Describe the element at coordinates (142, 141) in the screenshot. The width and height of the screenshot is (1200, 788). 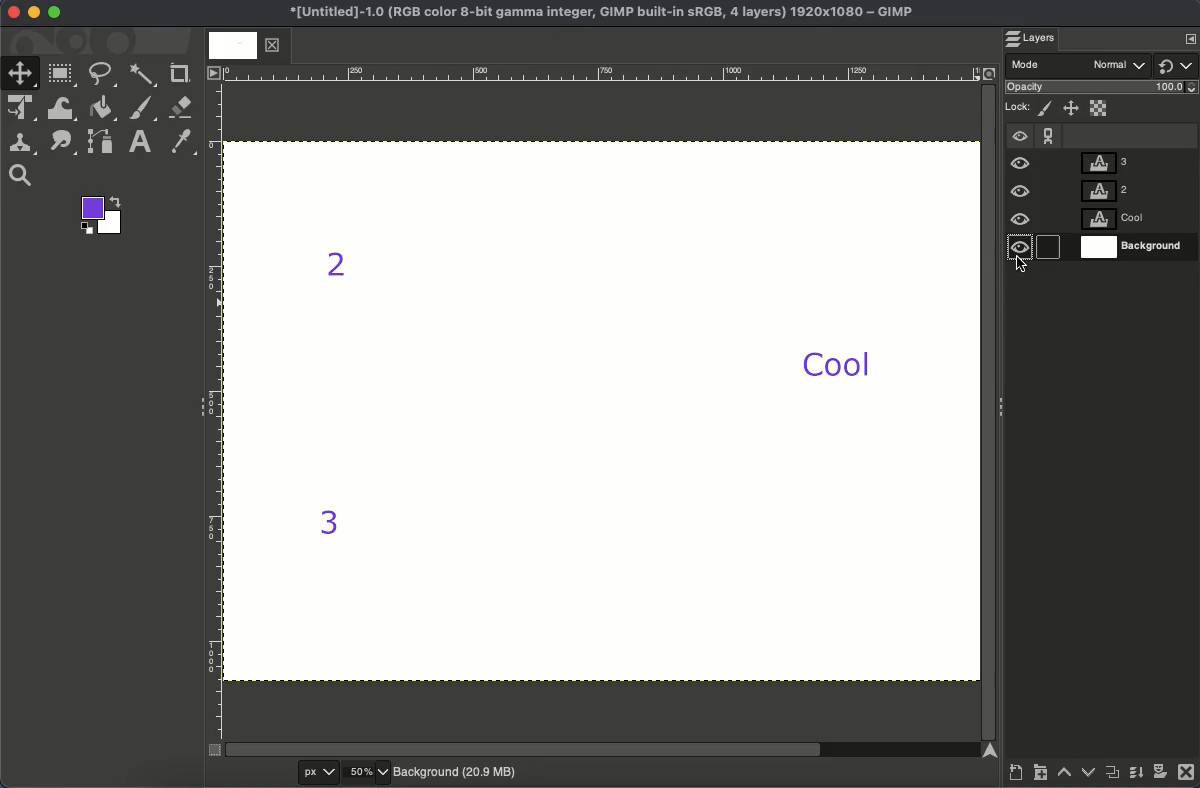
I see `Text` at that location.